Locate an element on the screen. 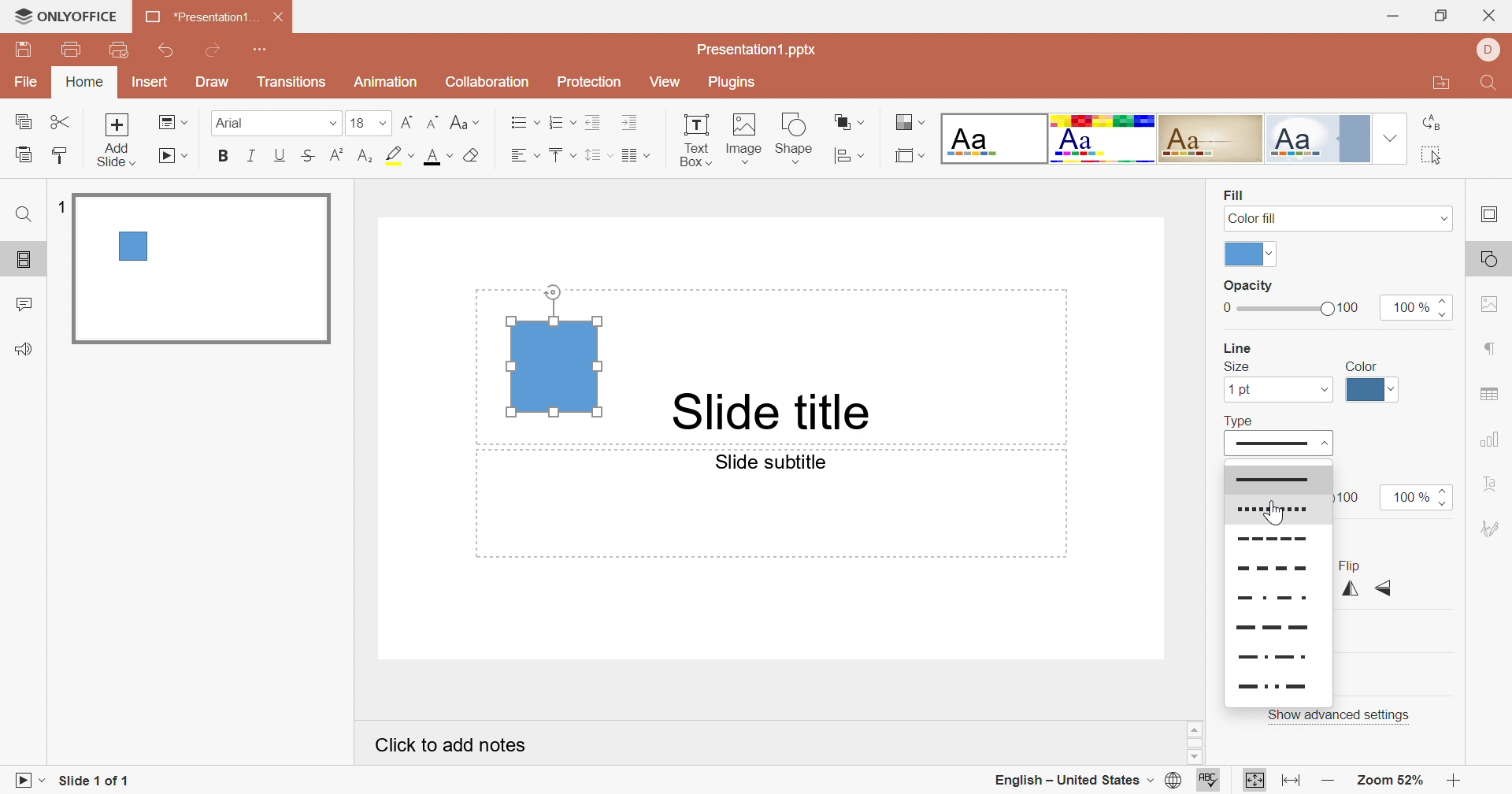  Customize Quick Access Toolbar is located at coordinates (267, 51).